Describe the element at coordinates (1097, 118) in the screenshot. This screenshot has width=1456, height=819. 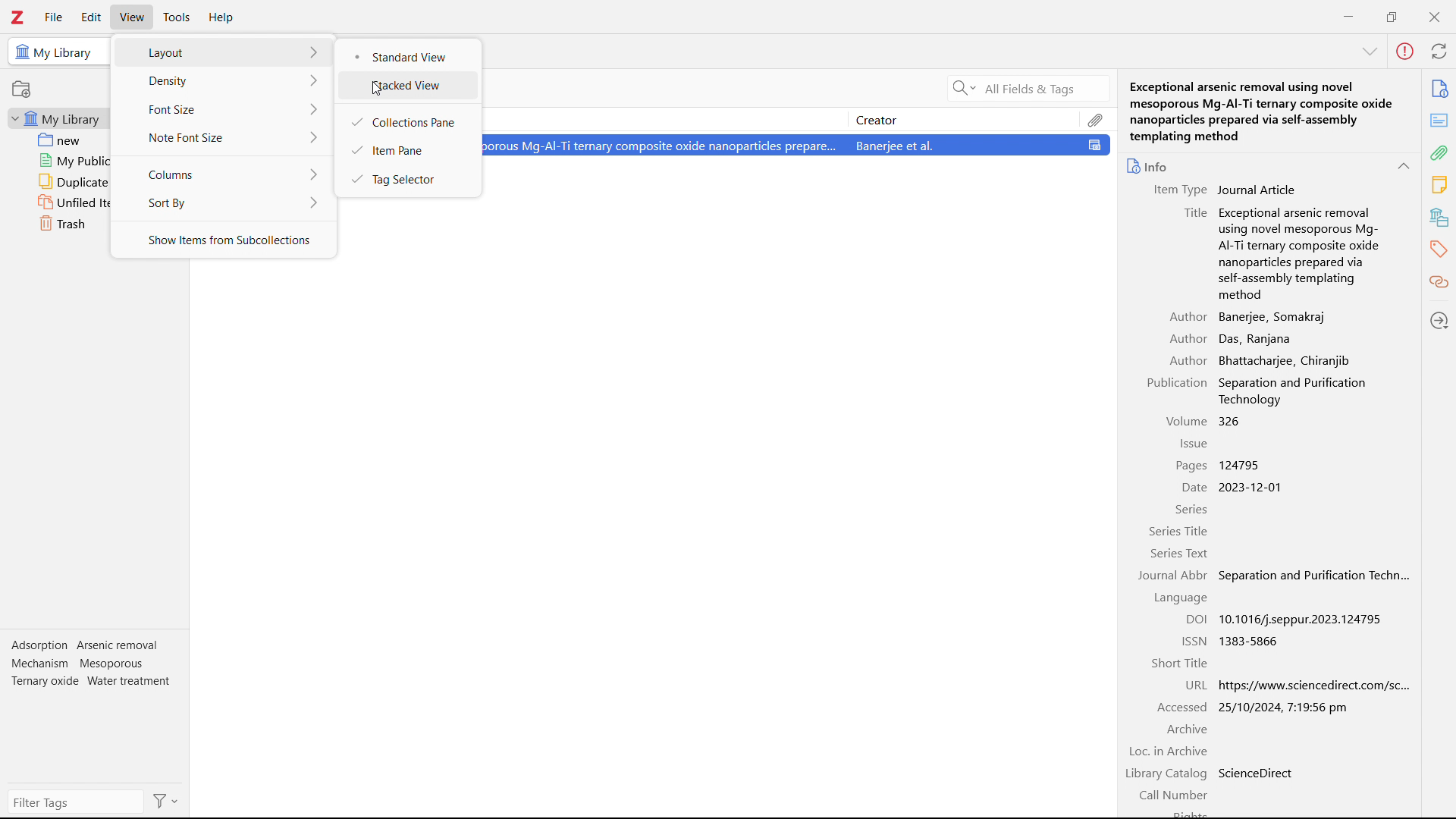
I see `attachments` at that location.